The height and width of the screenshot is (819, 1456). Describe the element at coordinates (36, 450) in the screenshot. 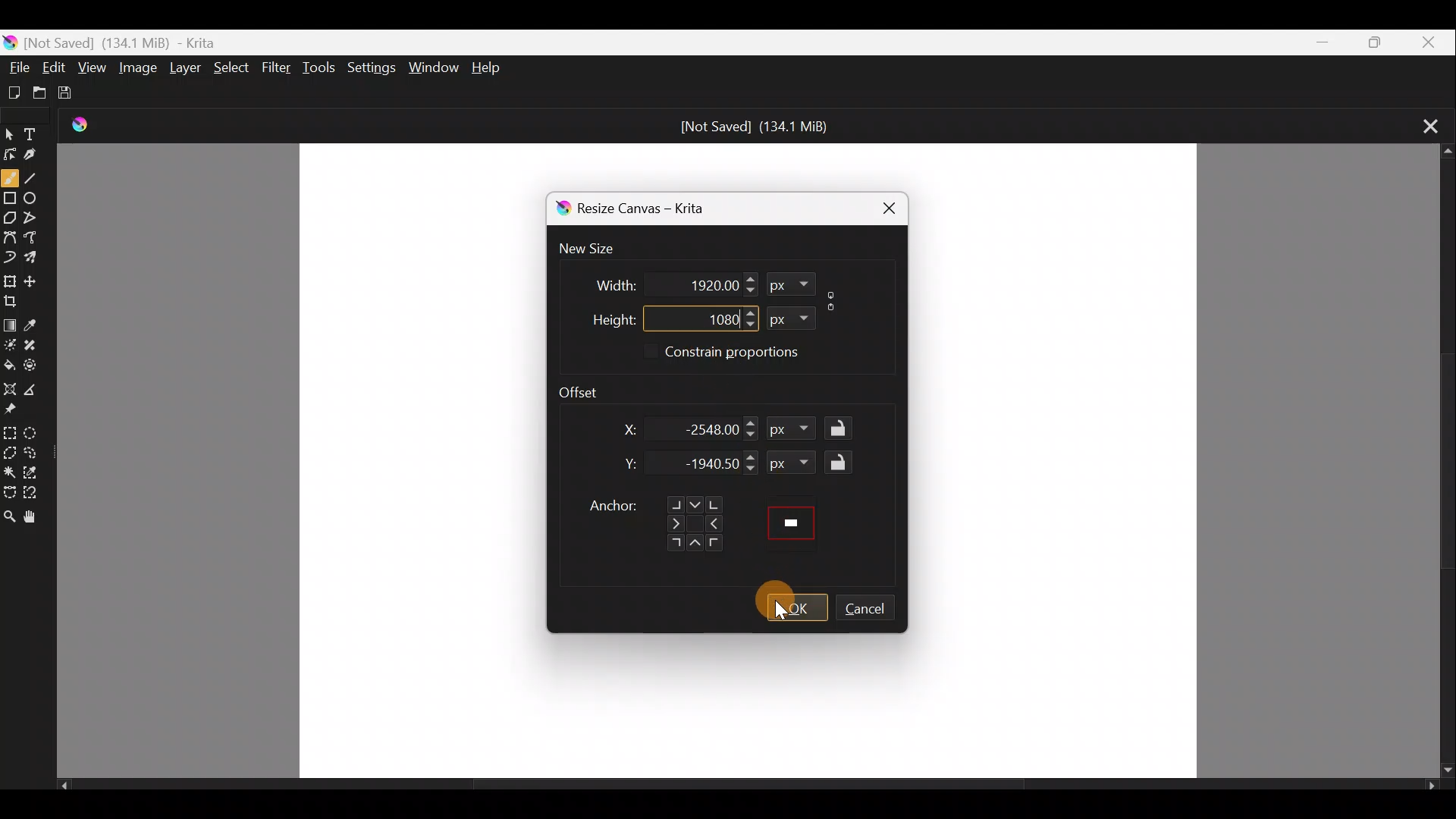

I see `Freehand selection tool` at that location.